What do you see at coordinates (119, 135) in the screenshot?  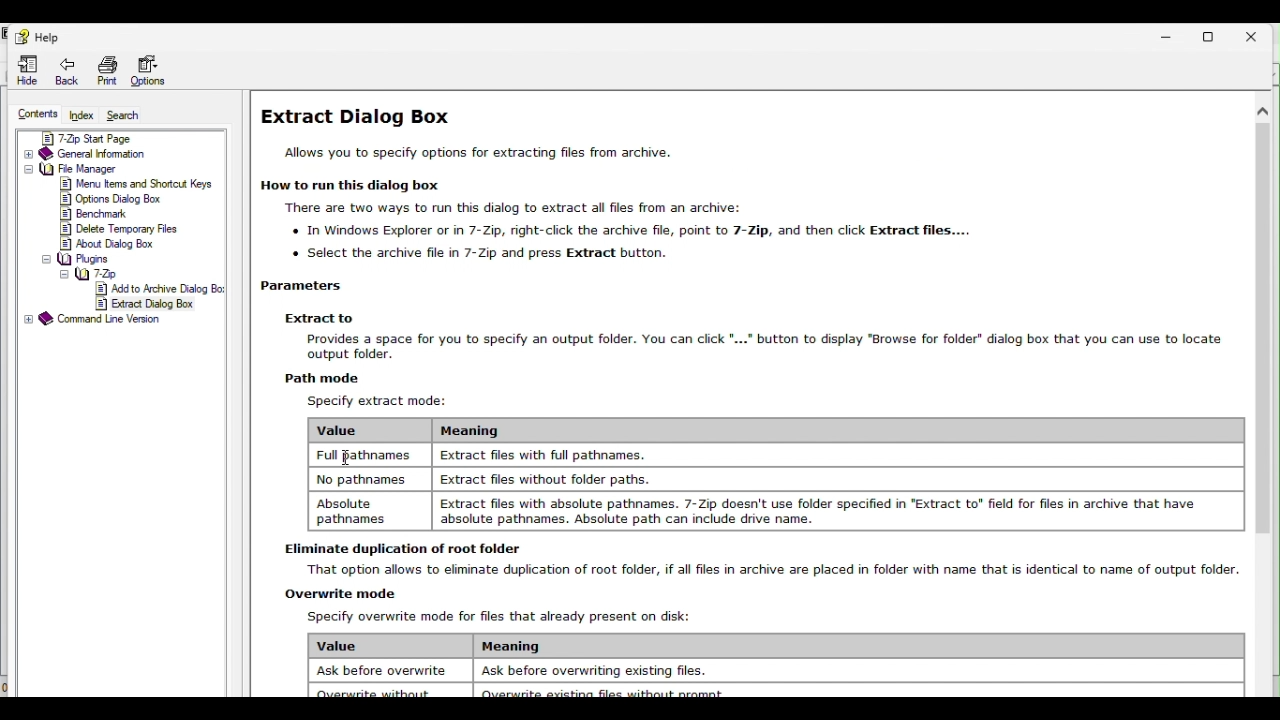 I see `7 zip start page` at bounding box center [119, 135].